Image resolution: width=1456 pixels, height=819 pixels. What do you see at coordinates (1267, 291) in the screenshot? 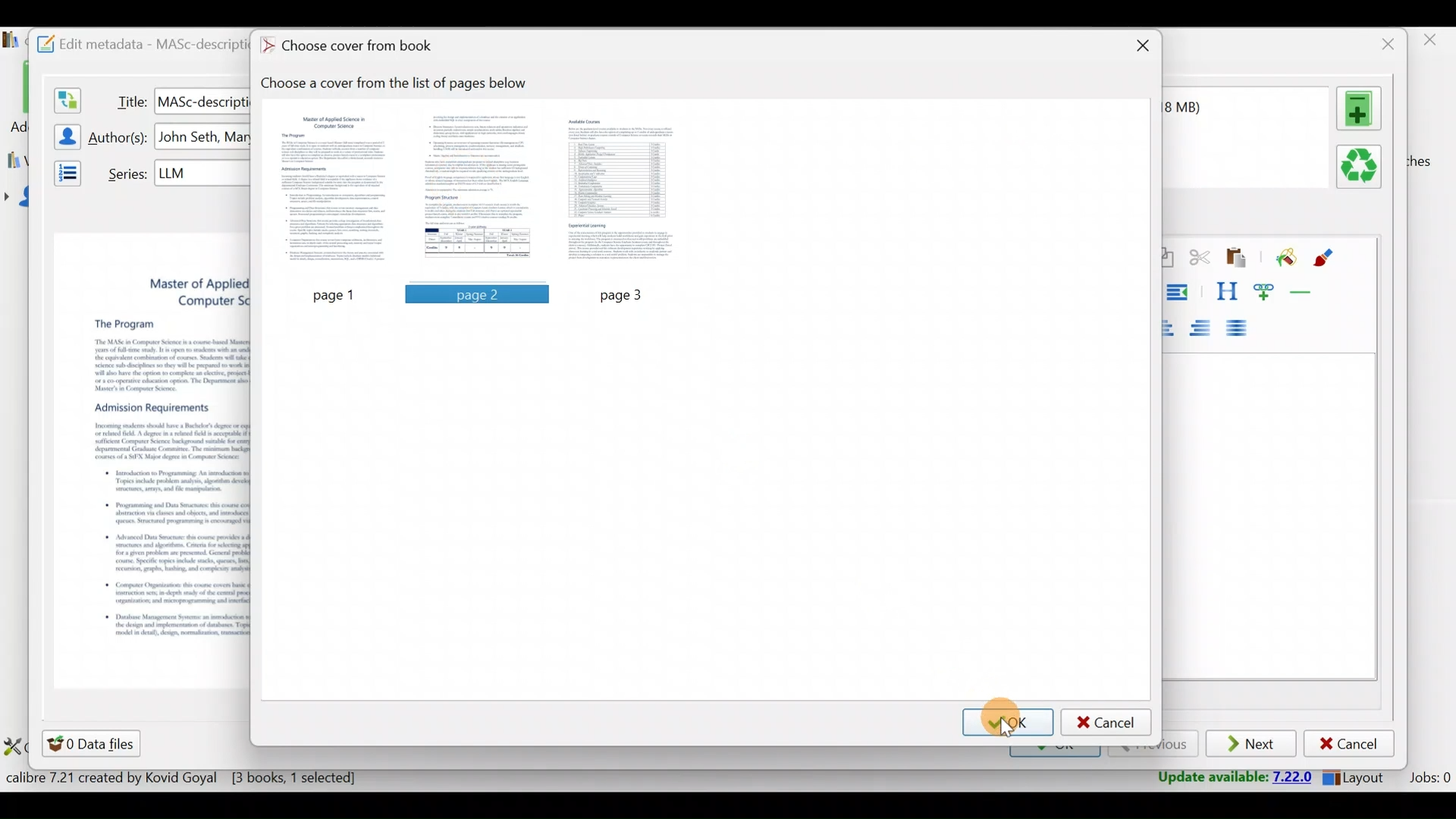
I see `Insert link or image` at bounding box center [1267, 291].